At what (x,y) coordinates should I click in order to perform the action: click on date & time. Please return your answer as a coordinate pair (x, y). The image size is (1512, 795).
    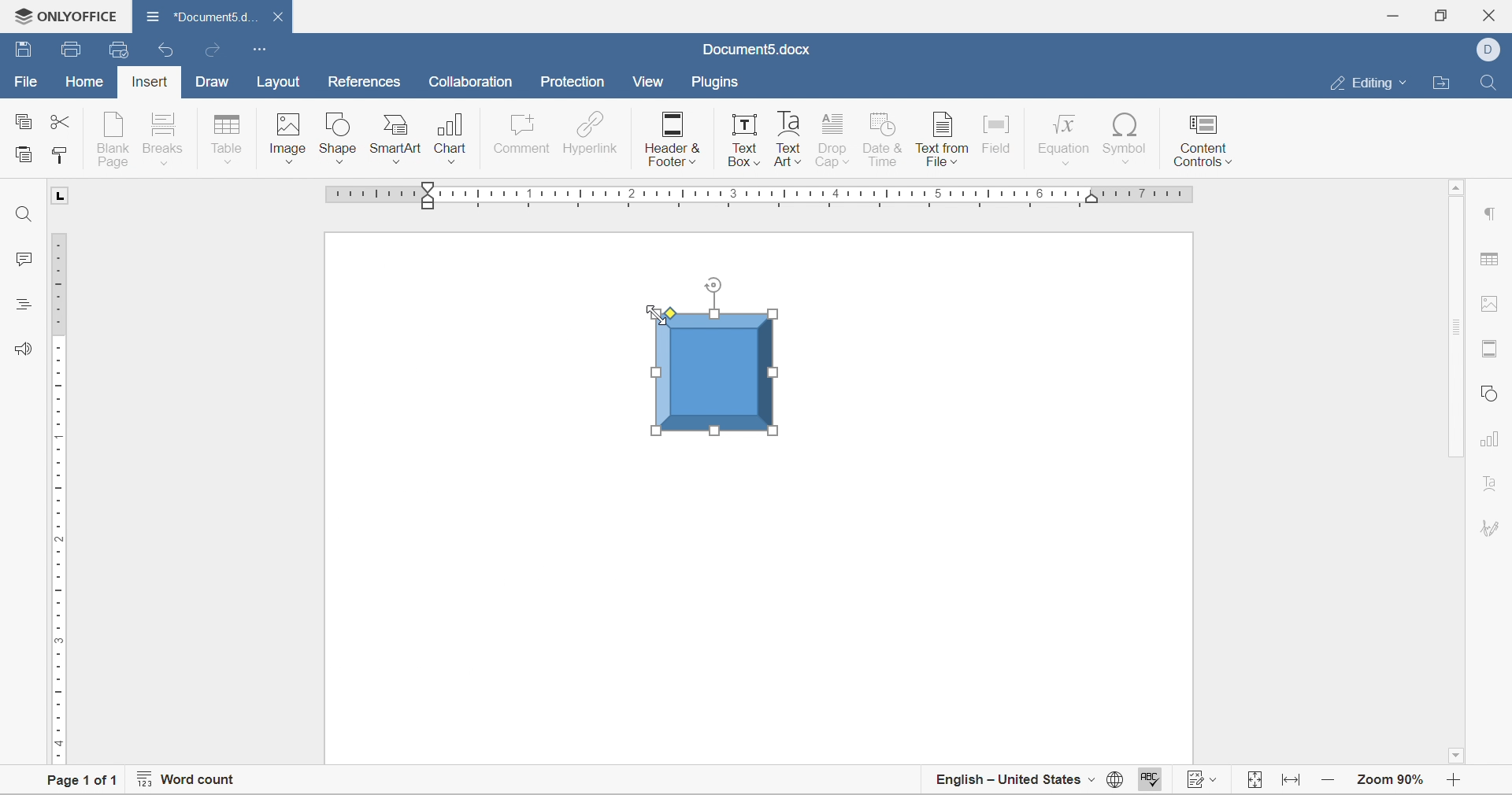
    Looking at the image, I should click on (884, 138).